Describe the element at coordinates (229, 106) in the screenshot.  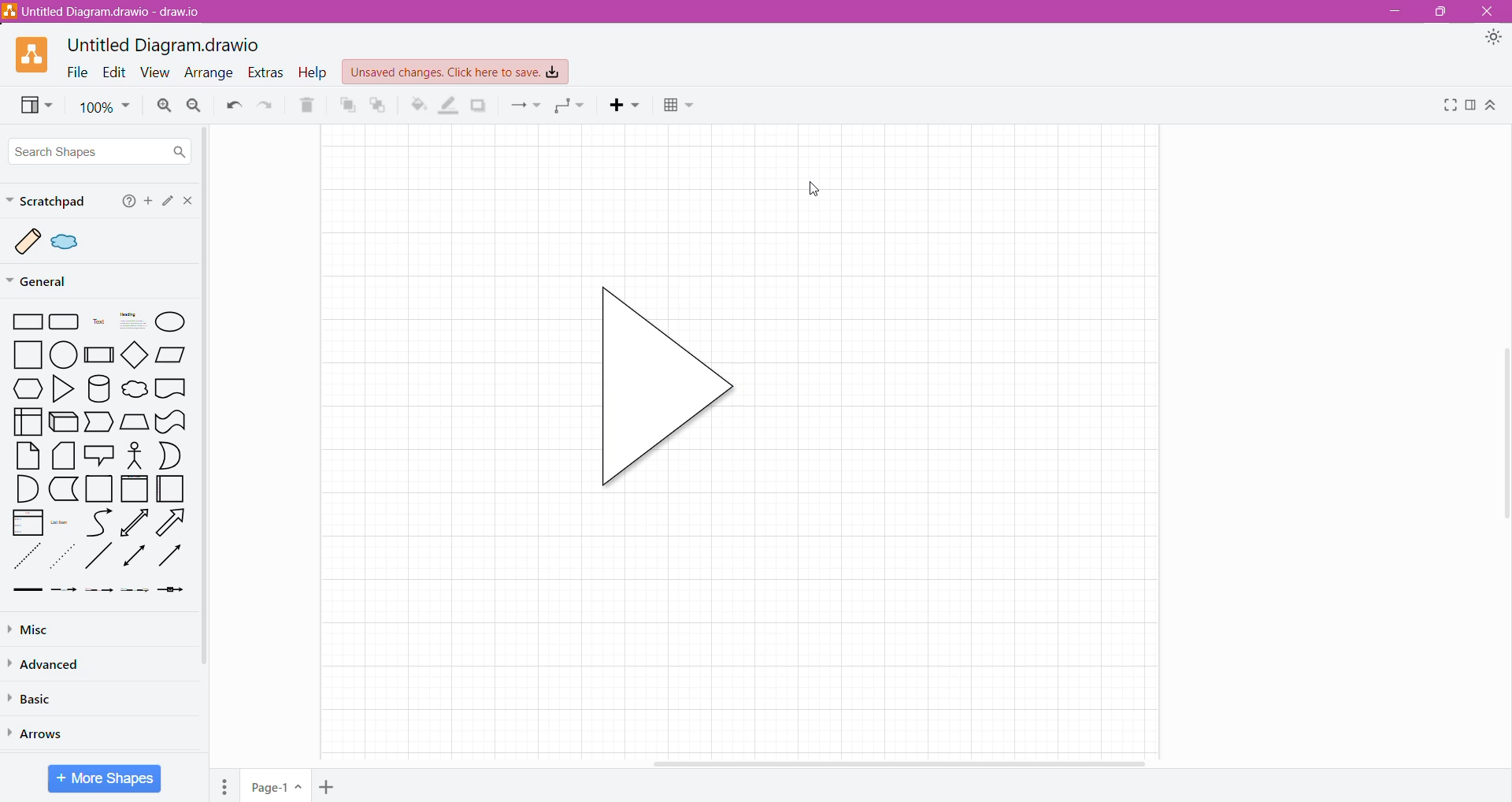
I see `Undo` at that location.